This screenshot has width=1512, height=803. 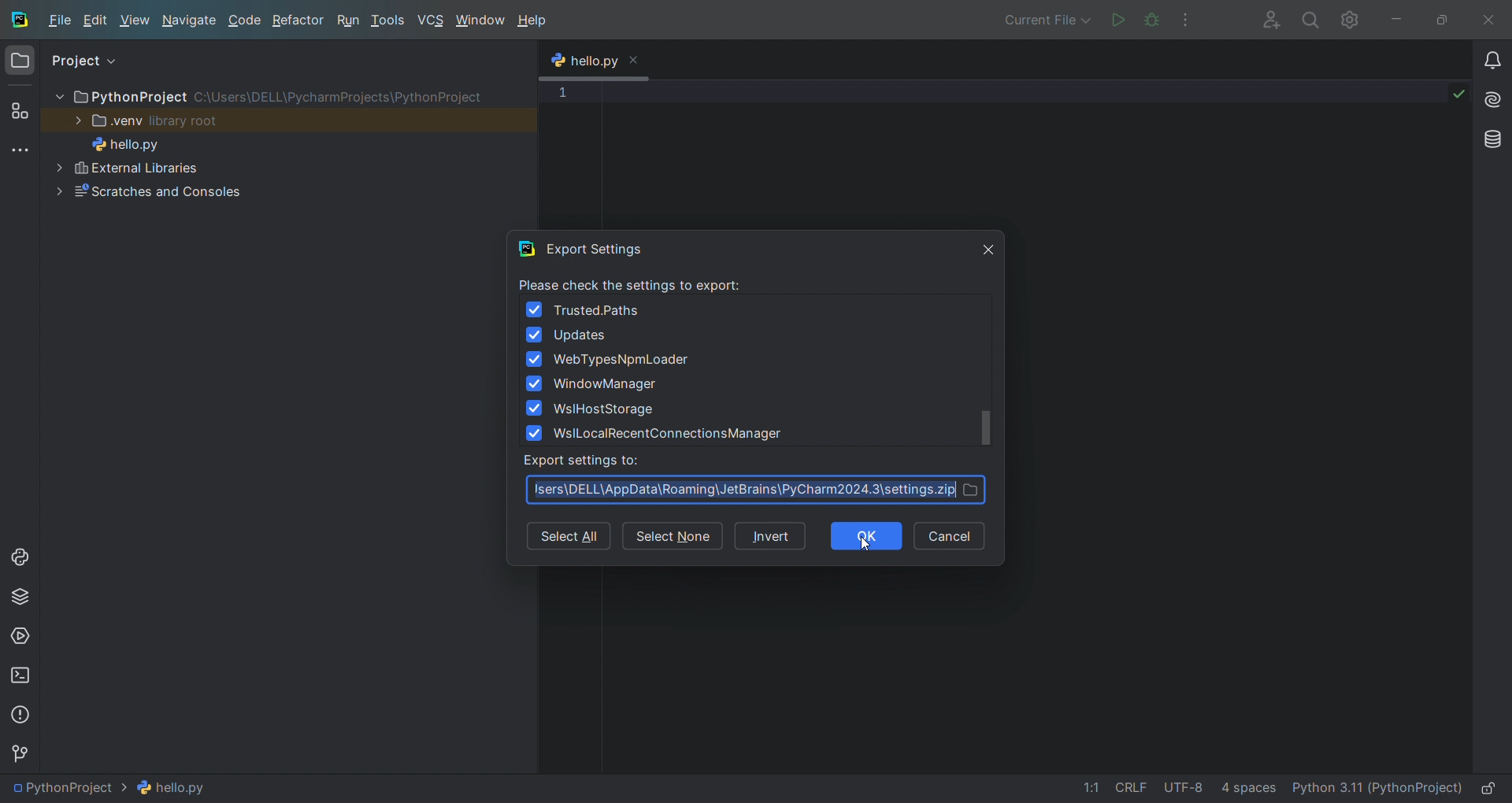 What do you see at coordinates (1492, 100) in the screenshot?
I see `ai assistant` at bounding box center [1492, 100].